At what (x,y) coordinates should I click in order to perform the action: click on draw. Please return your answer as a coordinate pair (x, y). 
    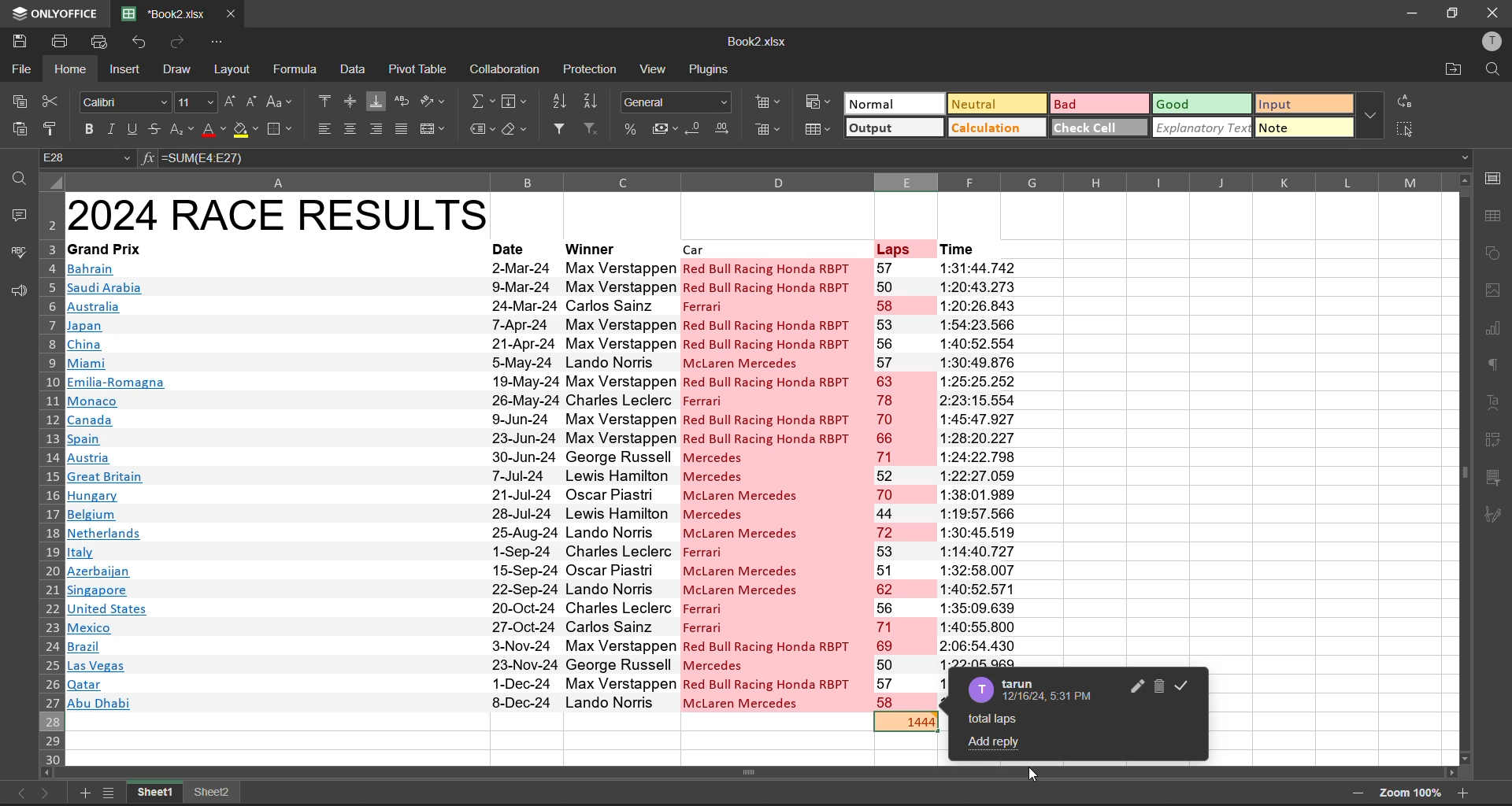
    Looking at the image, I should click on (181, 72).